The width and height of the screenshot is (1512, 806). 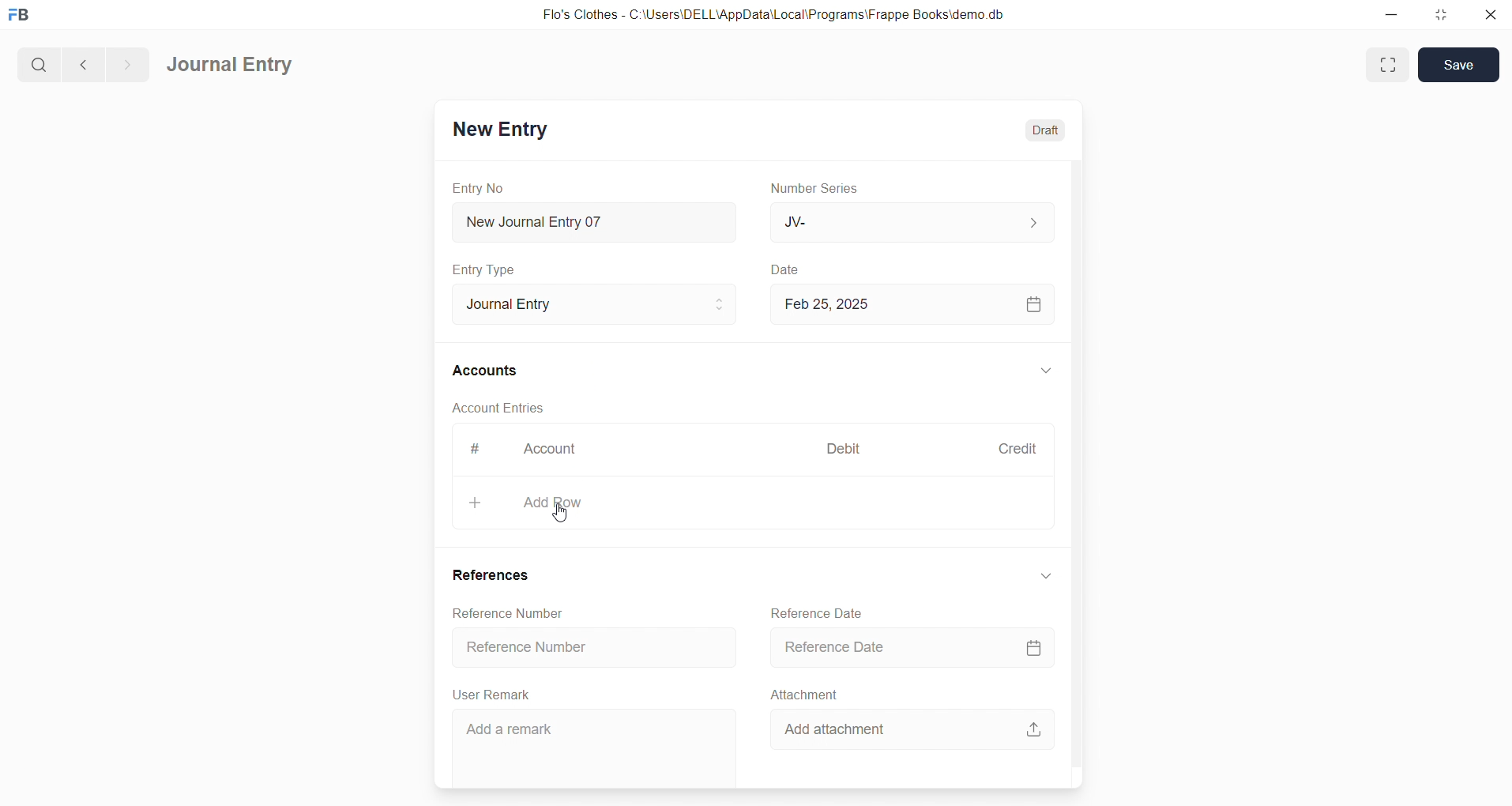 I want to click on vertical scroll bar, so click(x=1076, y=472).